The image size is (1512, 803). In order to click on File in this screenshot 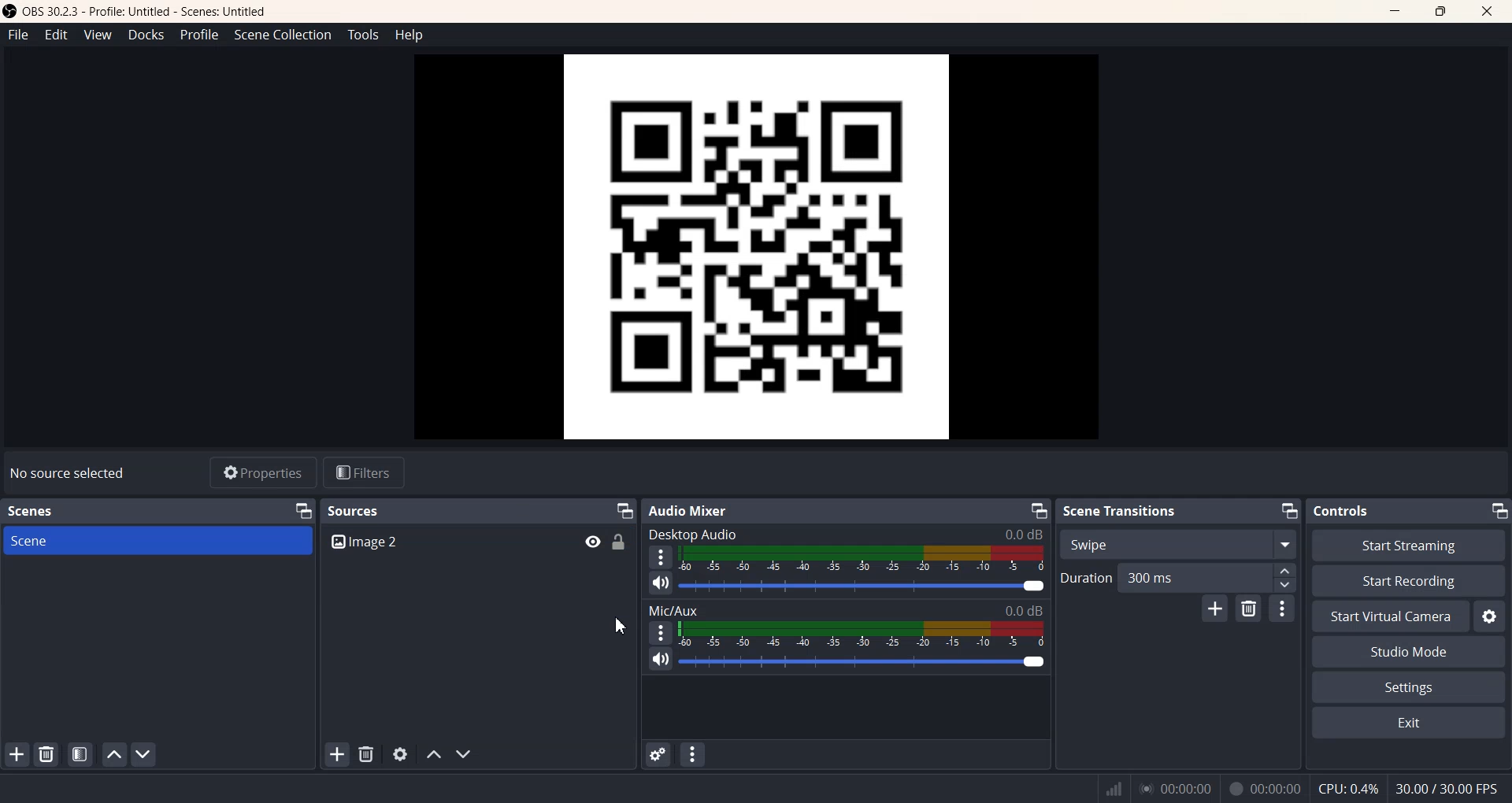, I will do `click(18, 34)`.